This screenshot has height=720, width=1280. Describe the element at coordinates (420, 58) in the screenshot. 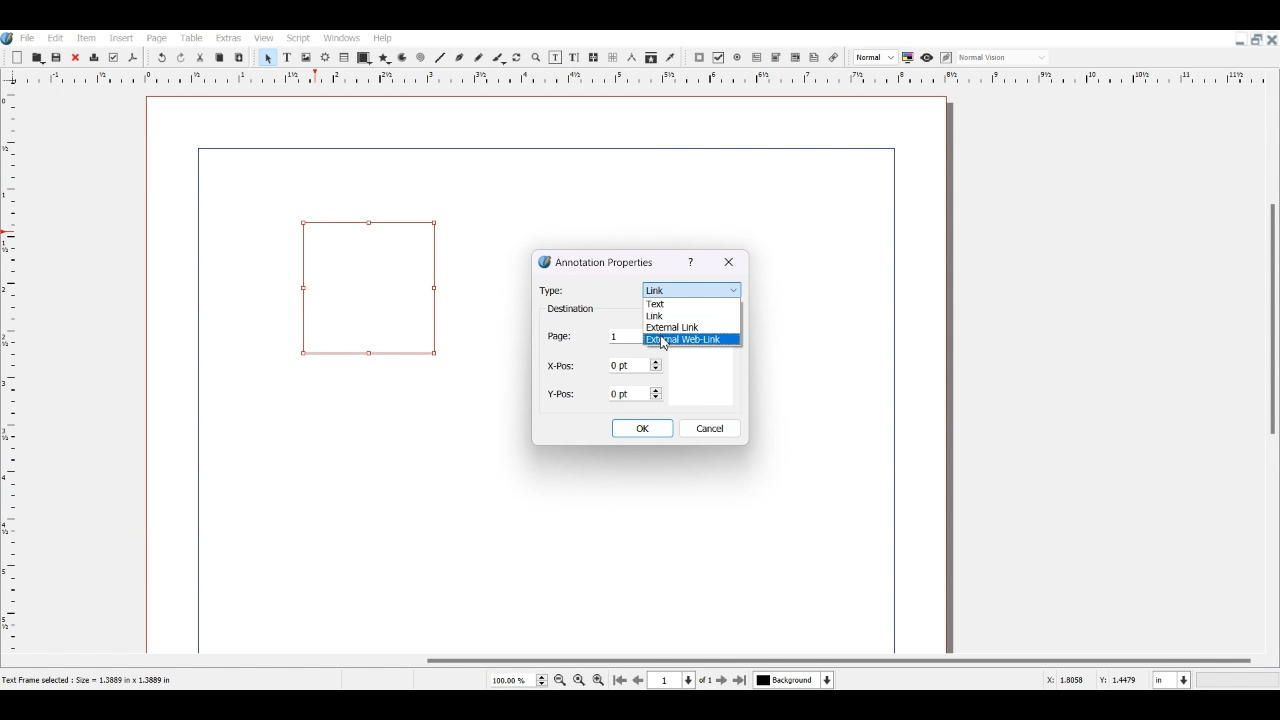

I see `Spiral` at that location.